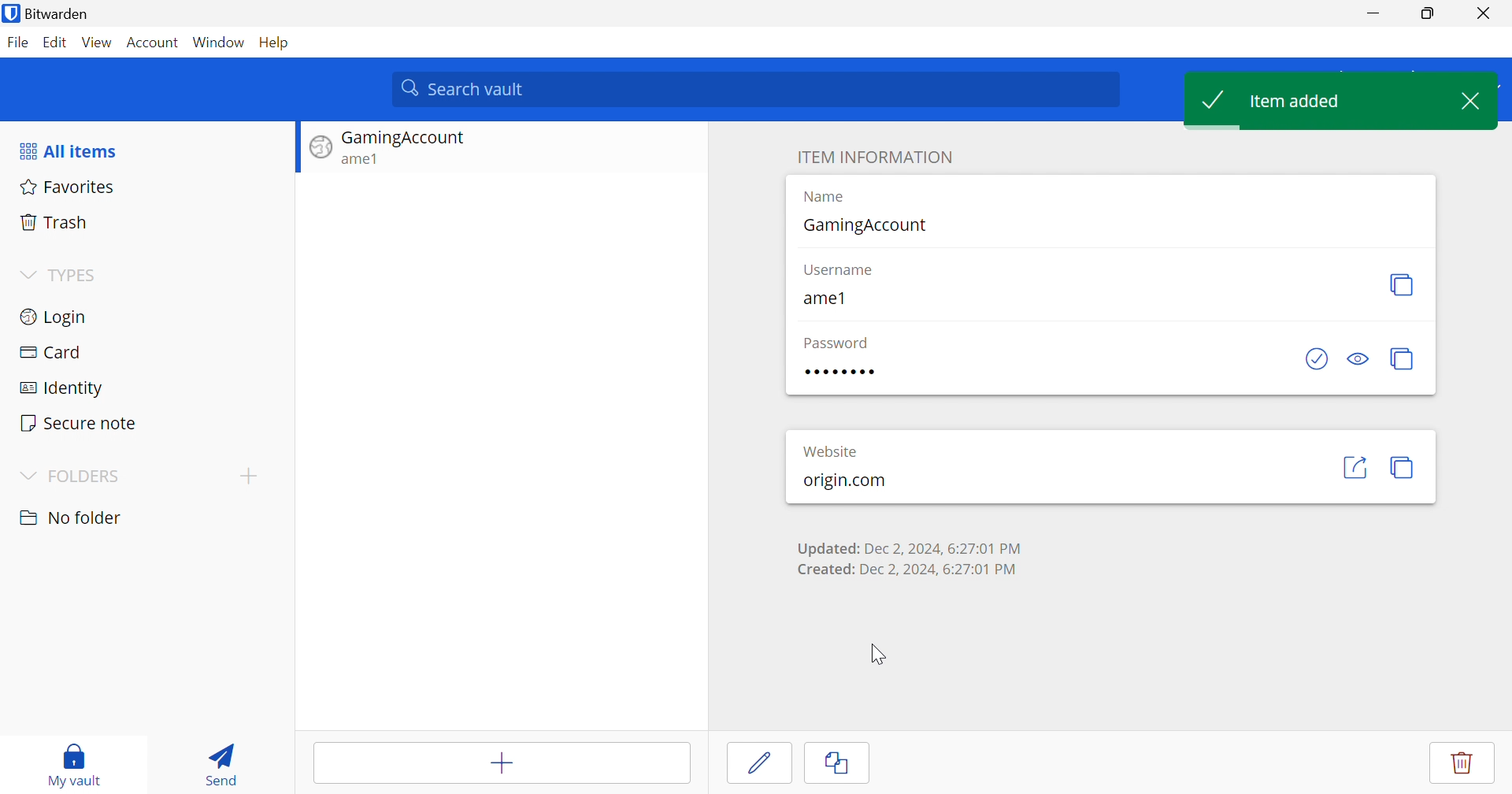 This screenshot has height=794, width=1512. What do you see at coordinates (18, 43) in the screenshot?
I see `File` at bounding box center [18, 43].